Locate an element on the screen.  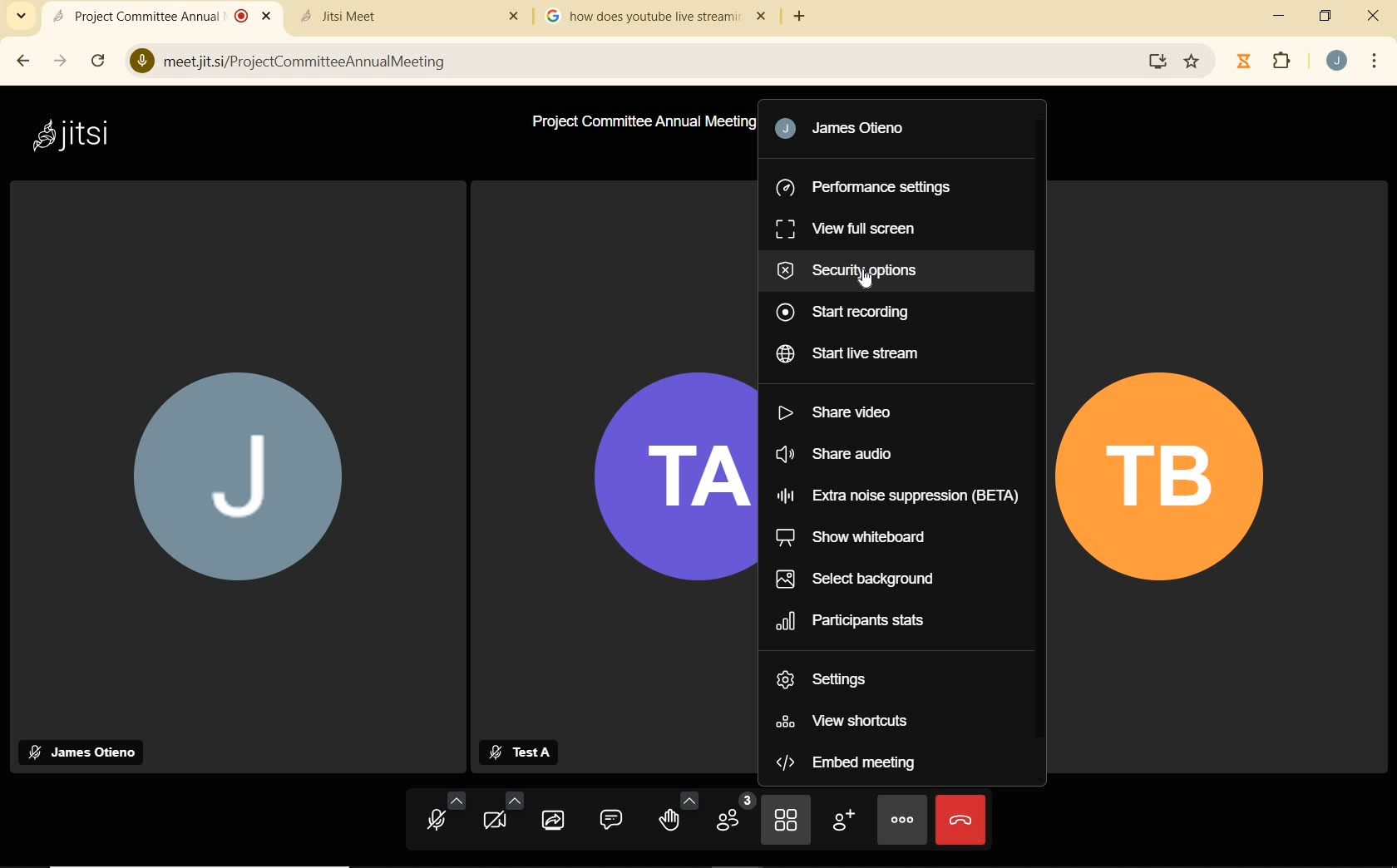
START SCREEN SHARING is located at coordinates (553, 820).